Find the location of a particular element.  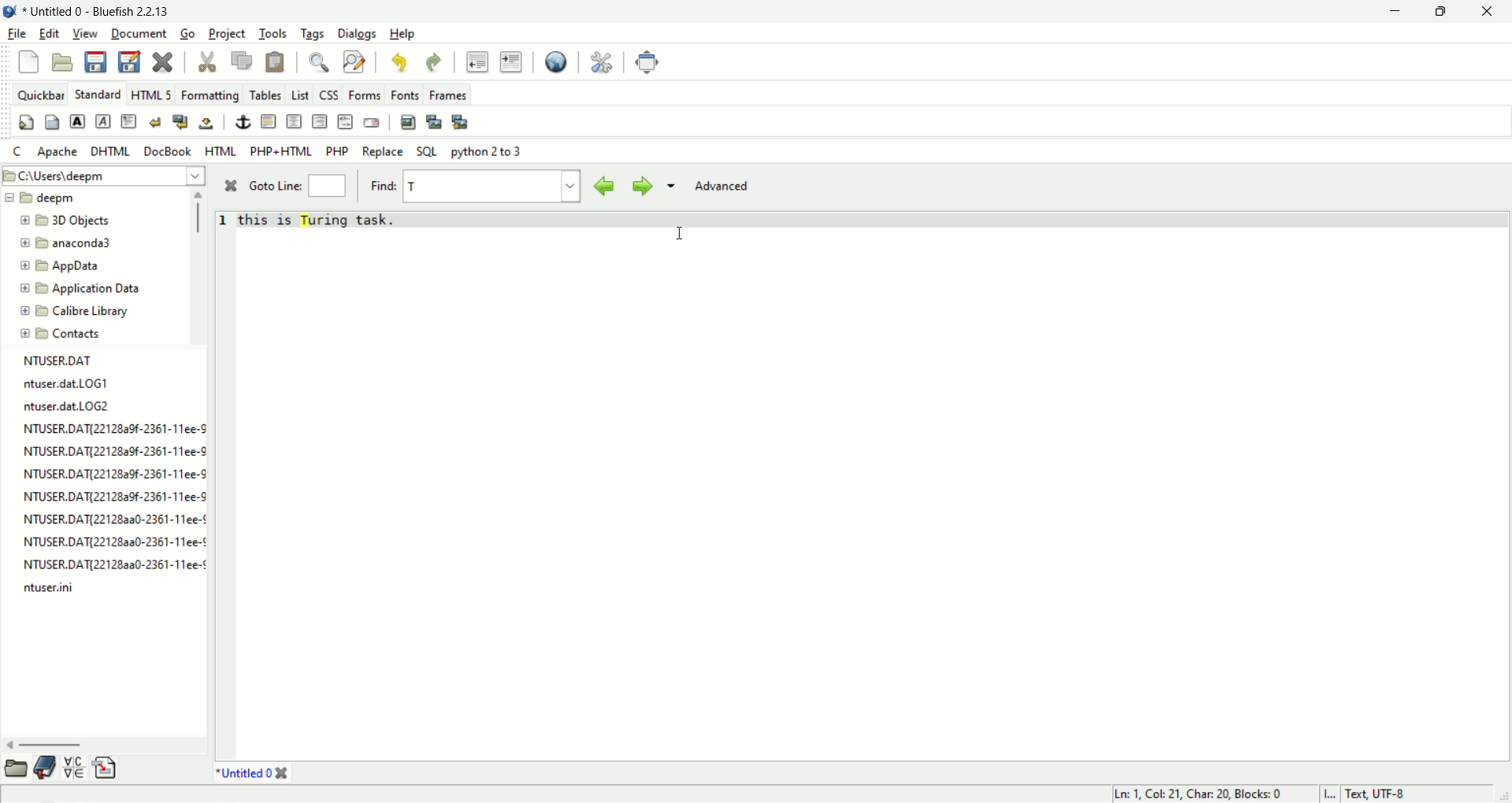

char map is located at coordinates (75, 768).